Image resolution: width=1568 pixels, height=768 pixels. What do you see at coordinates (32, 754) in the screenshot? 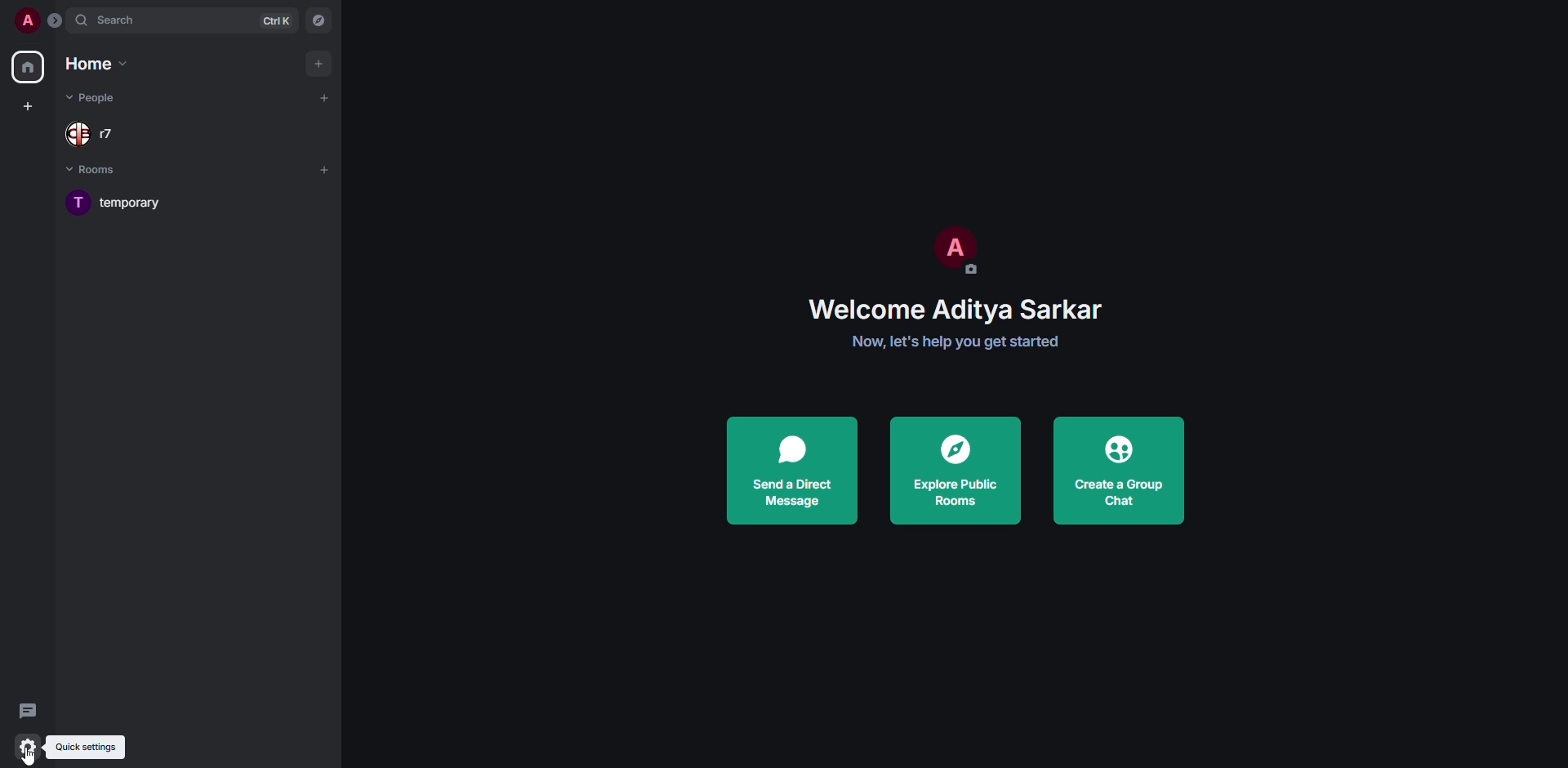
I see `cursor` at bounding box center [32, 754].